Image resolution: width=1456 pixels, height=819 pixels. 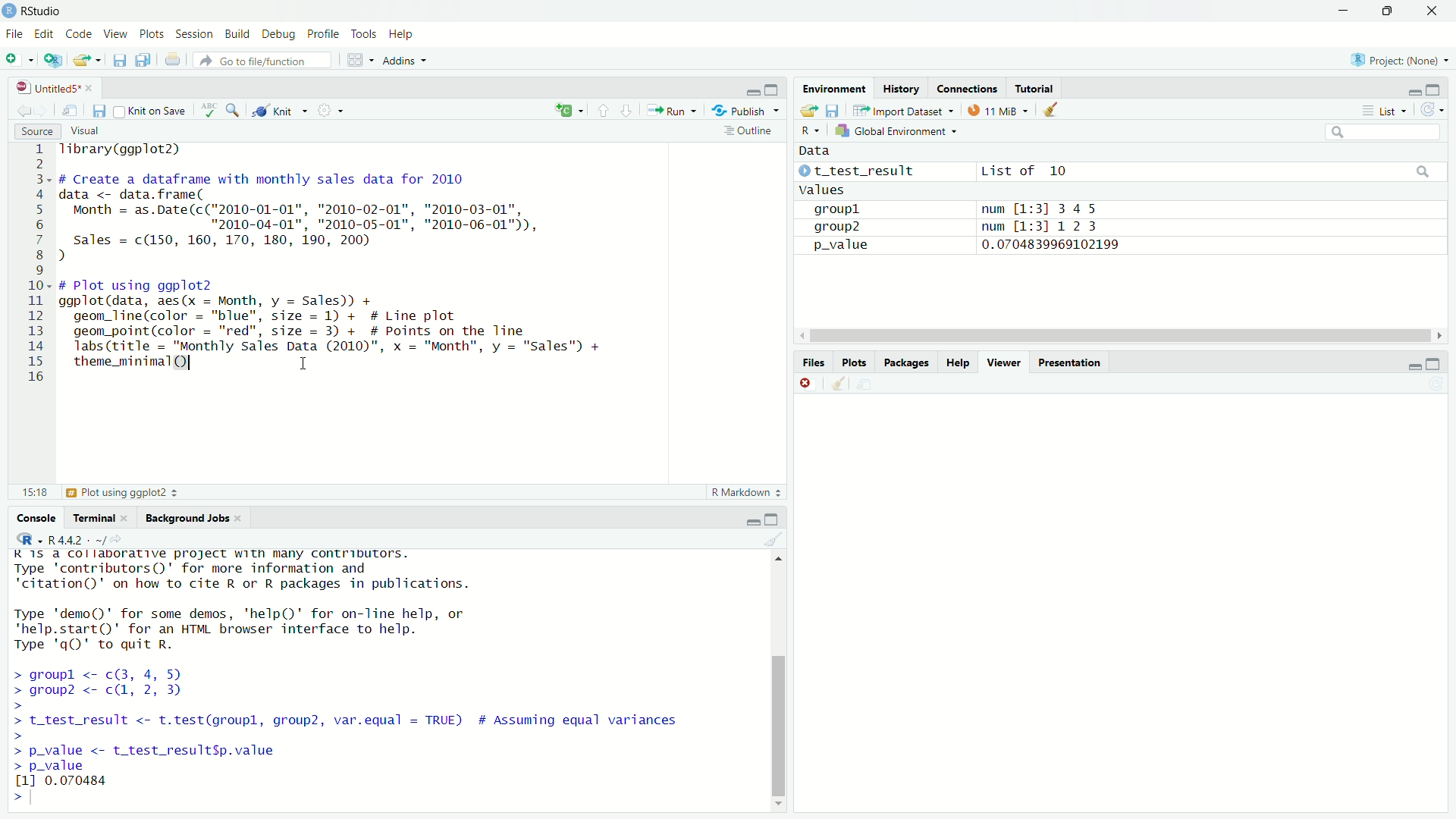 What do you see at coordinates (39, 265) in the screenshot?
I see `code line number` at bounding box center [39, 265].